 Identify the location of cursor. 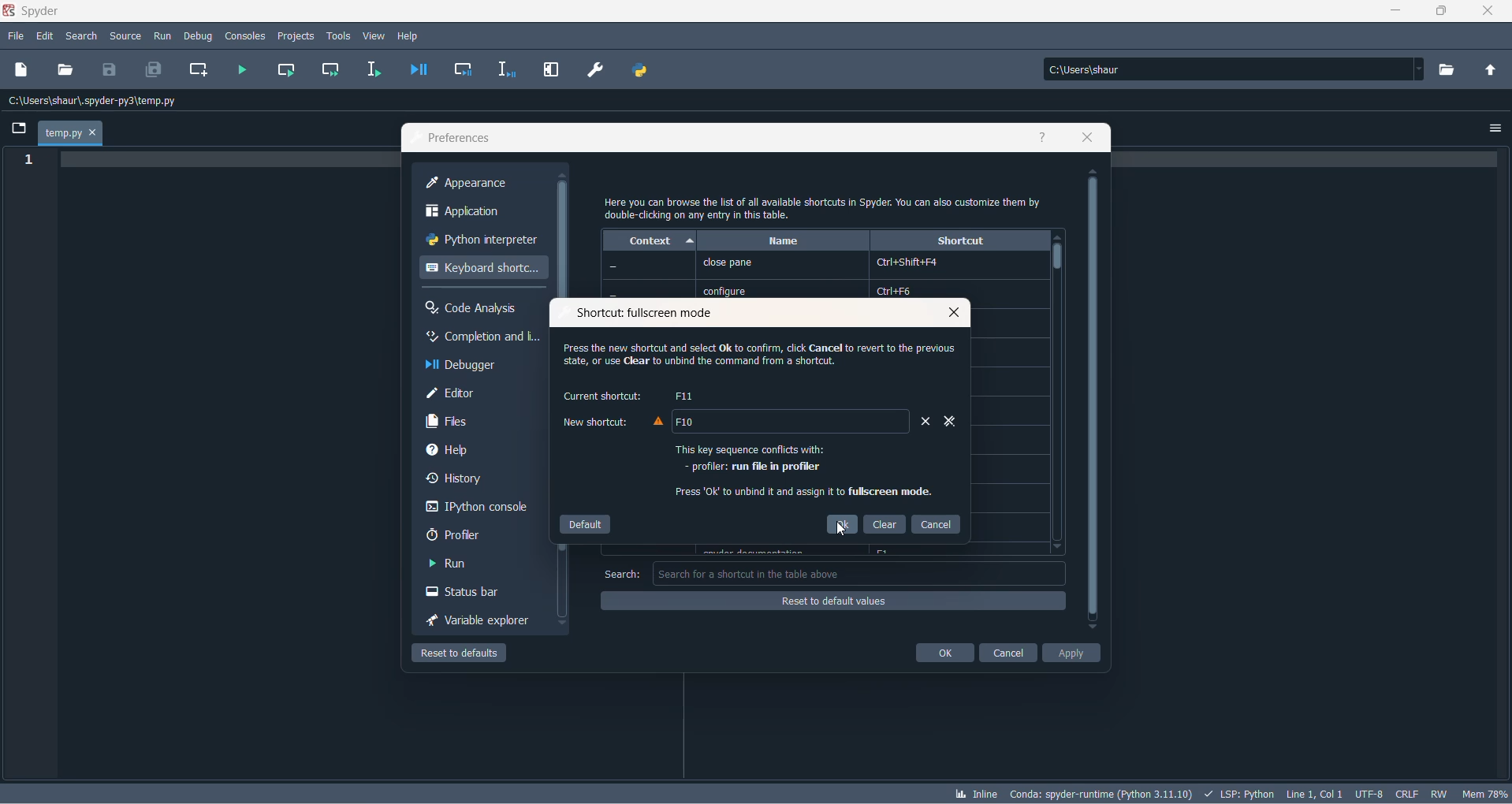
(844, 531).